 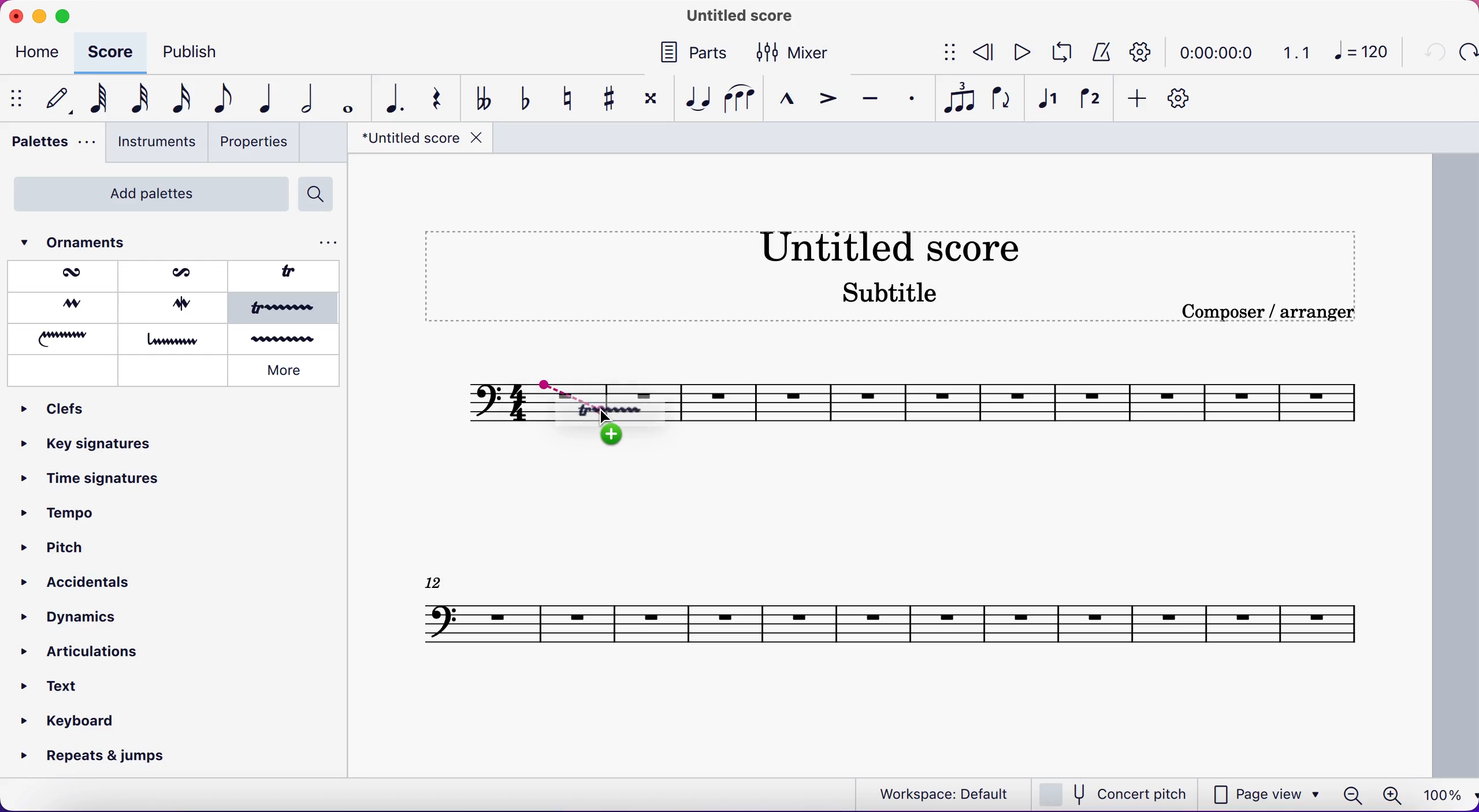 What do you see at coordinates (73, 617) in the screenshot?
I see `dynamics` at bounding box center [73, 617].